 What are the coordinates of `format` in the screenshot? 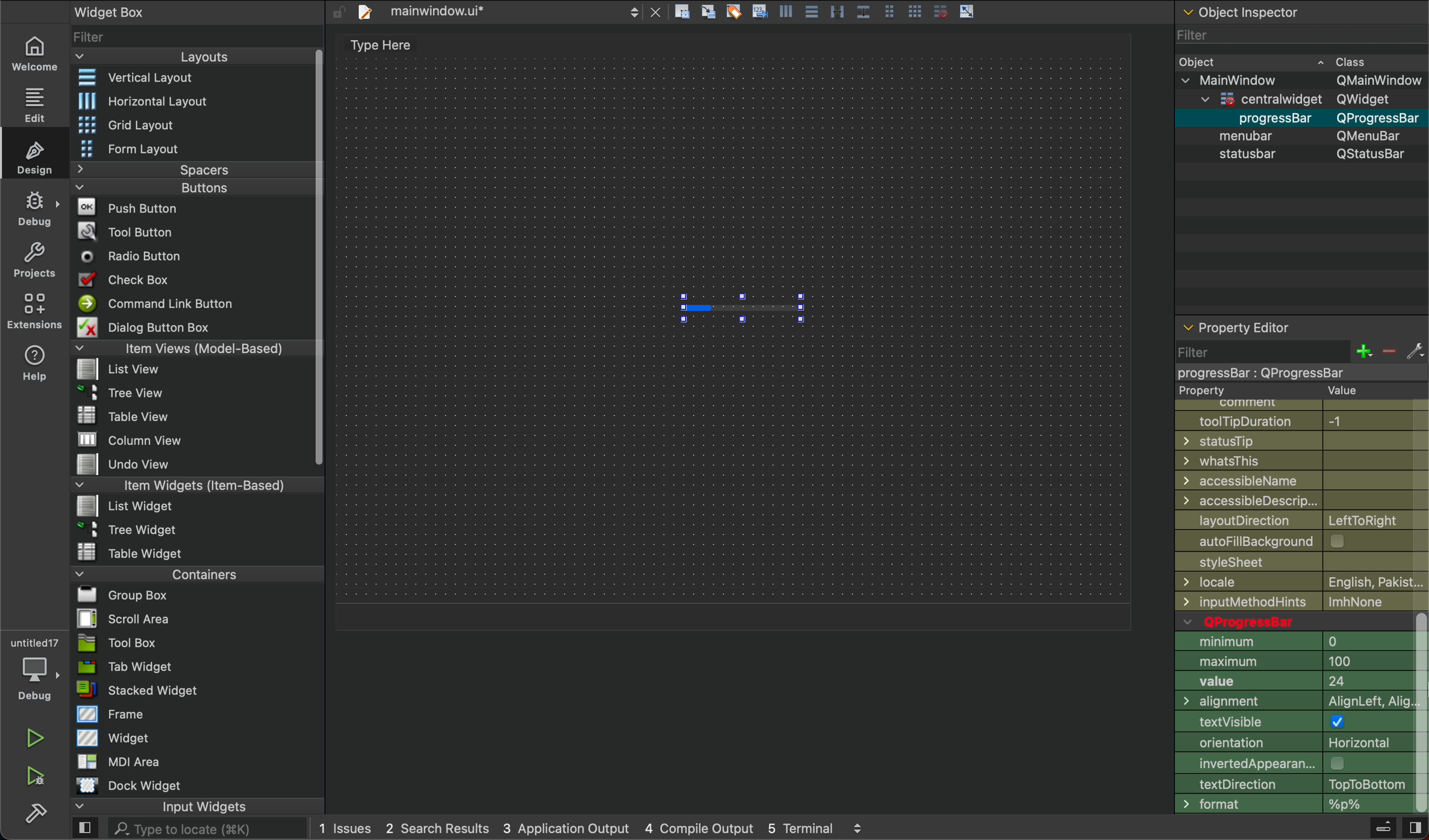 It's located at (1292, 805).